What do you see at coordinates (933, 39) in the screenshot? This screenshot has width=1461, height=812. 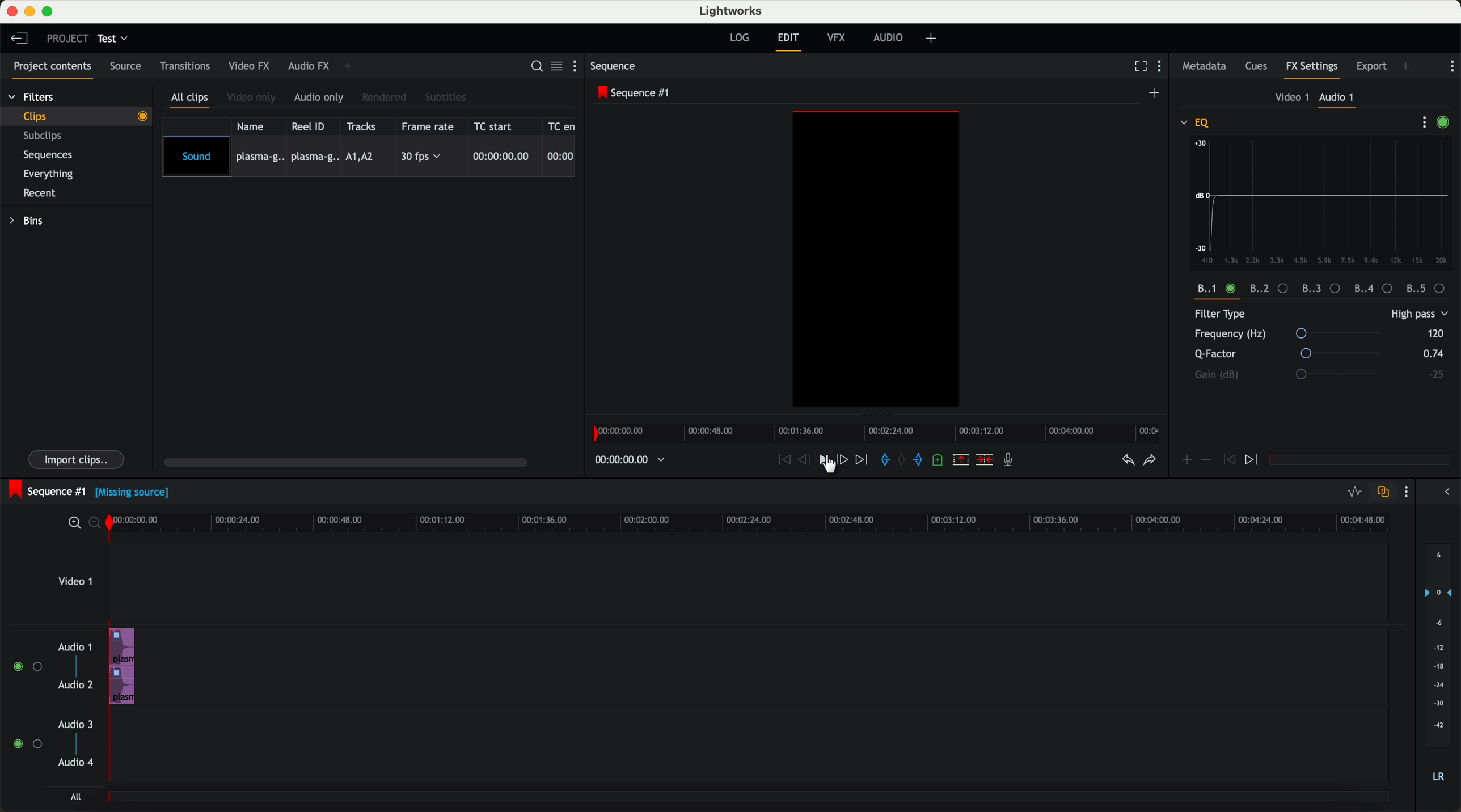 I see `add` at bounding box center [933, 39].